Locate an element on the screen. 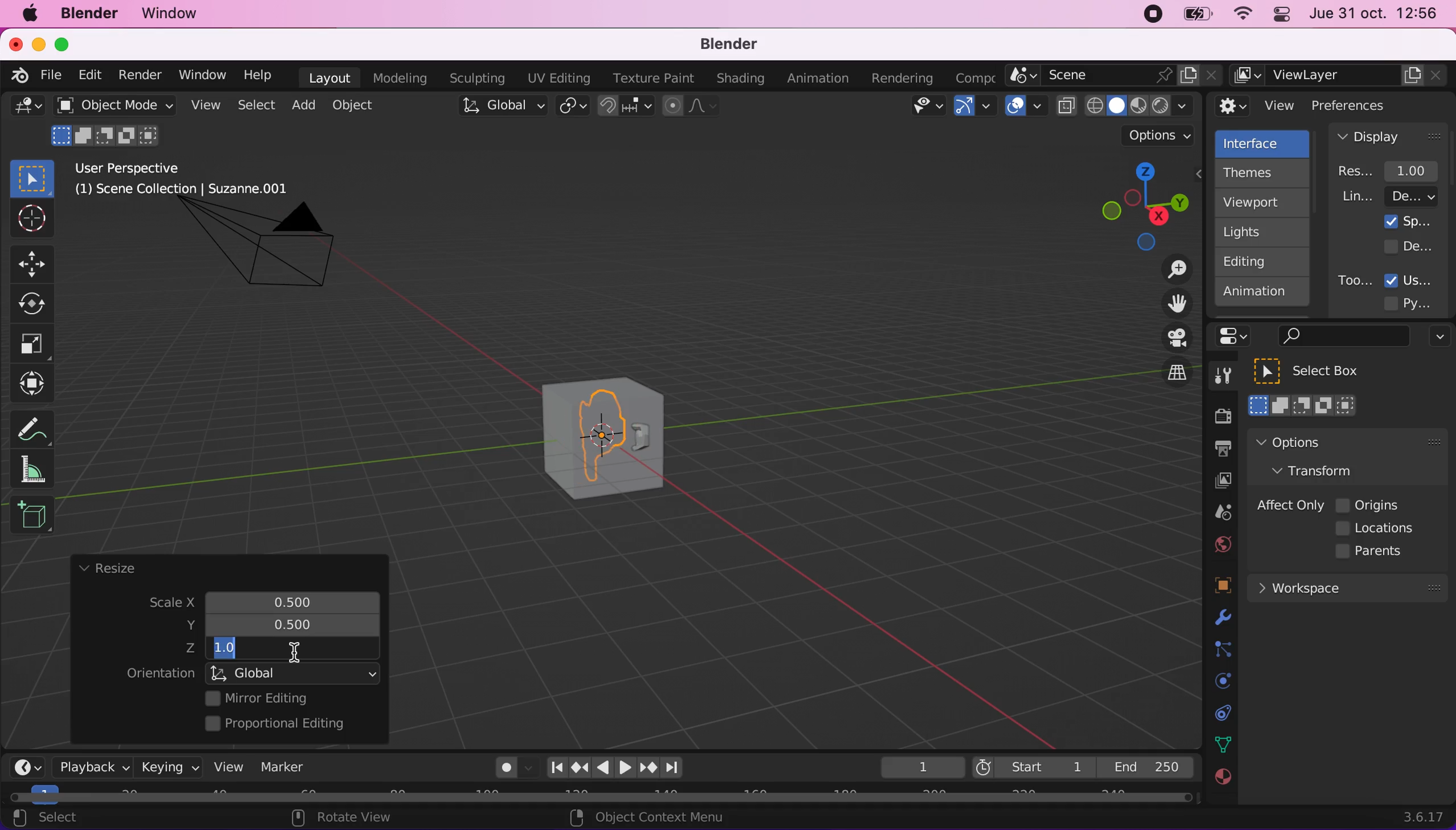 The height and width of the screenshot is (830, 1456). world is located at coordinates (1220, 543).